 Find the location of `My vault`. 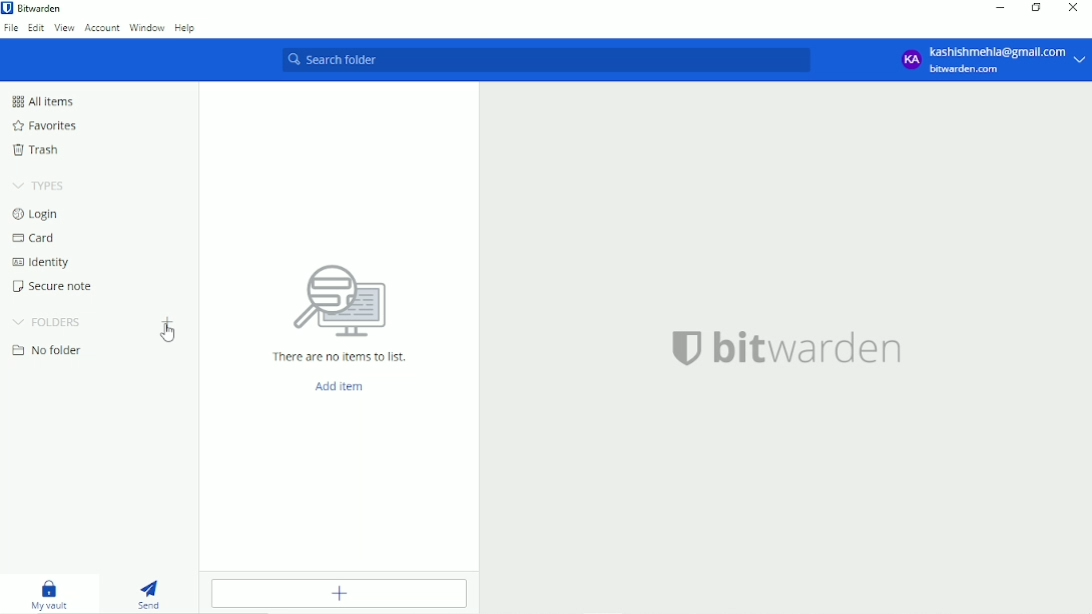

My vault is located at coordinates (47, 595).